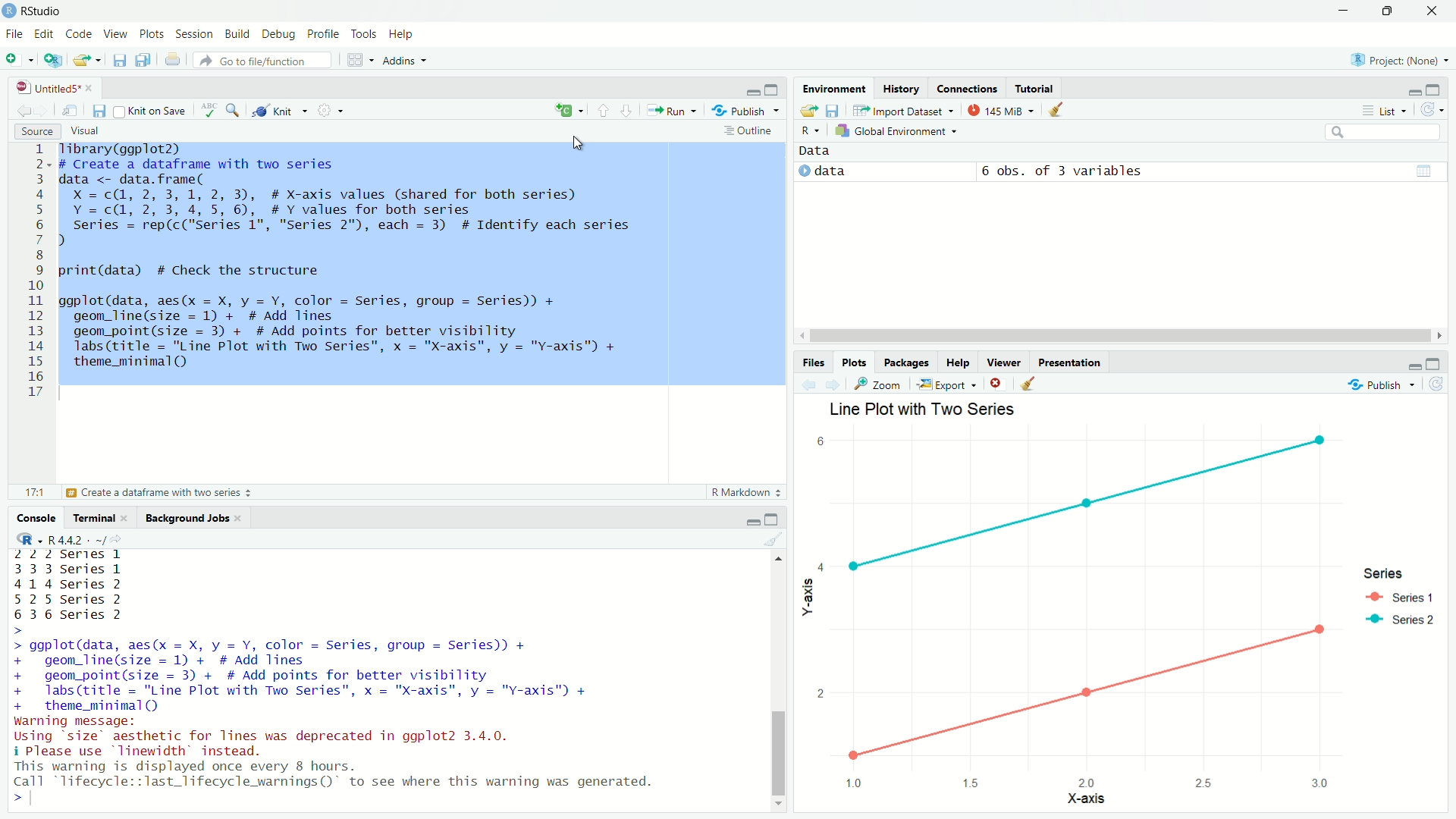 The height and width of the screenshot is (819, 1456). Describe the element at coordinates (833, 384) in the screenshot. I see `Go forward to the next source selection` at that location.